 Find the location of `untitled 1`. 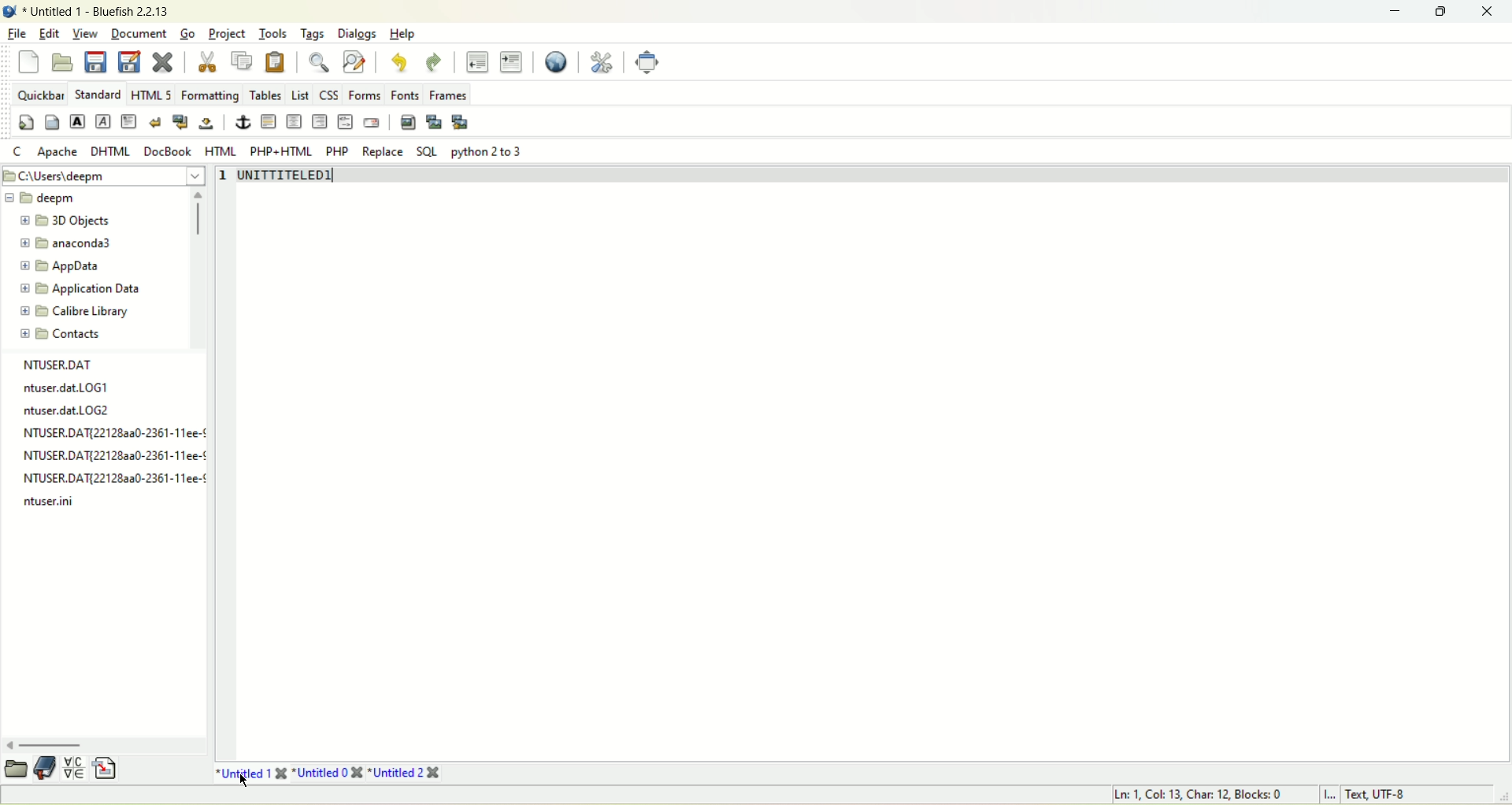

untitled 1 is located at coordinates (251, 770).